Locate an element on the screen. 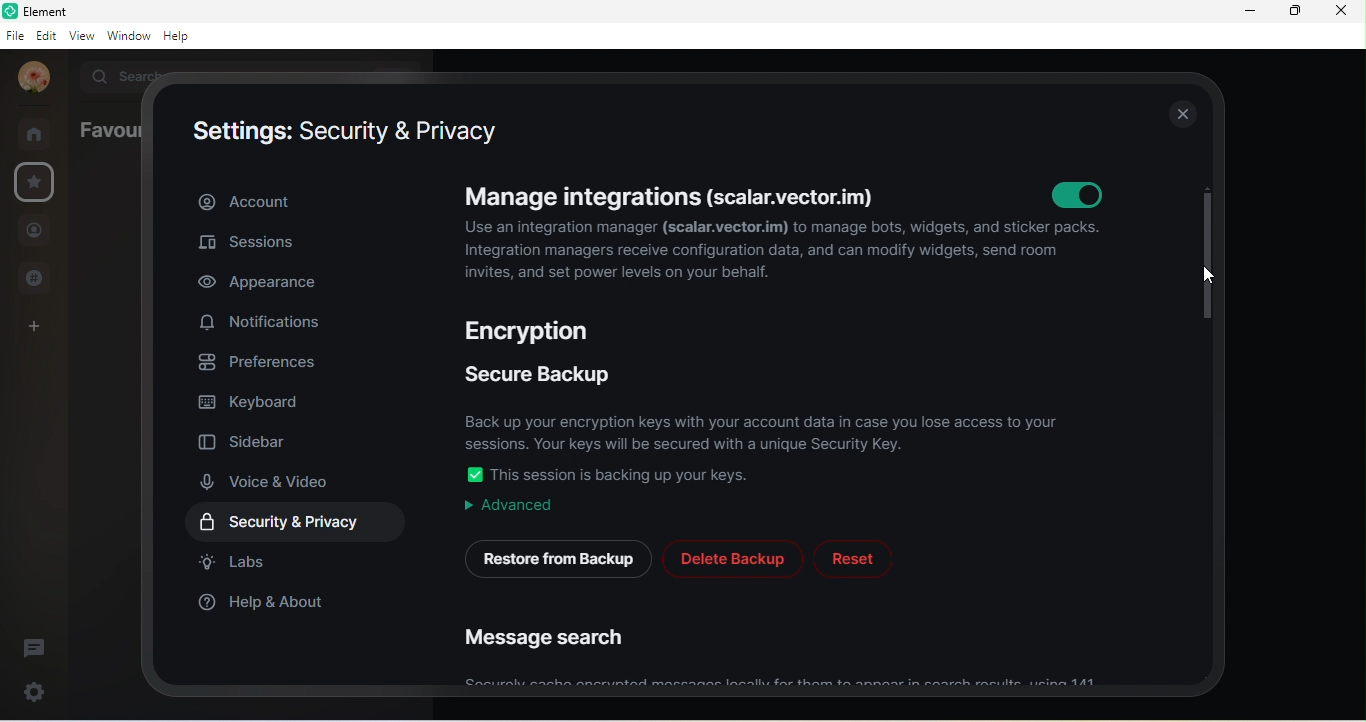 The height and width of the screenshot is (722, 1366). edit is located at coordinates (47, 36).